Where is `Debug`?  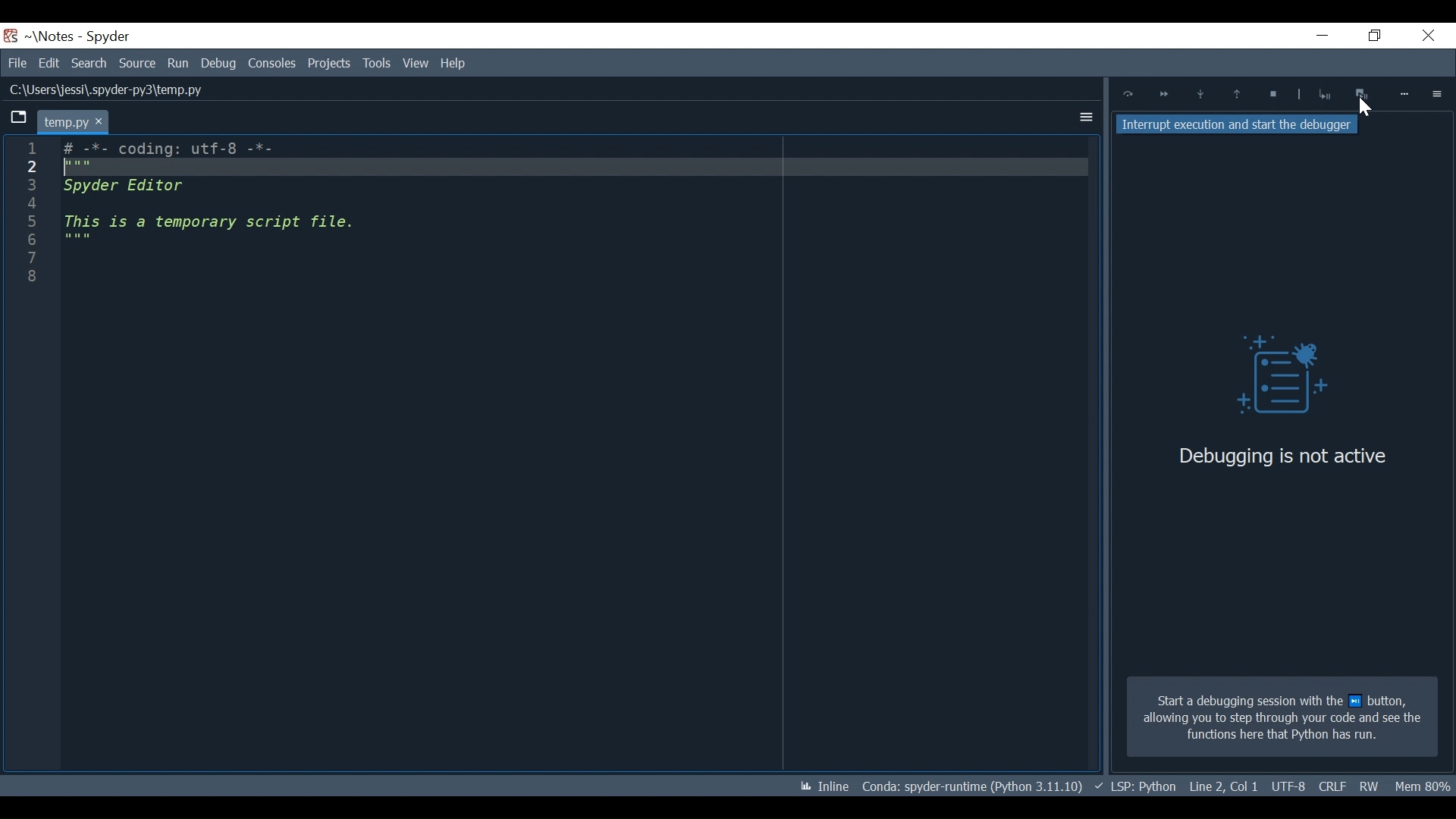
Debug is located at coordinates (1270, 378).